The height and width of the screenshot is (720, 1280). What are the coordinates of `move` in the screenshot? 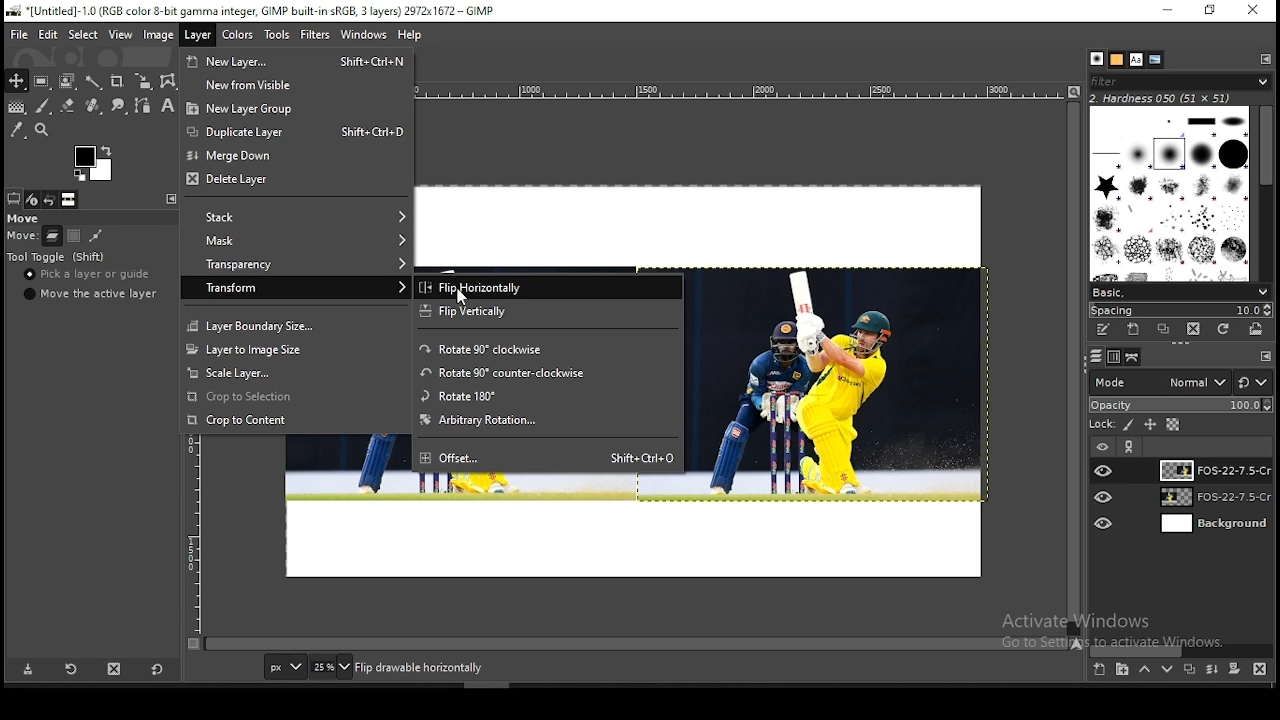 It's located at (25, 219).